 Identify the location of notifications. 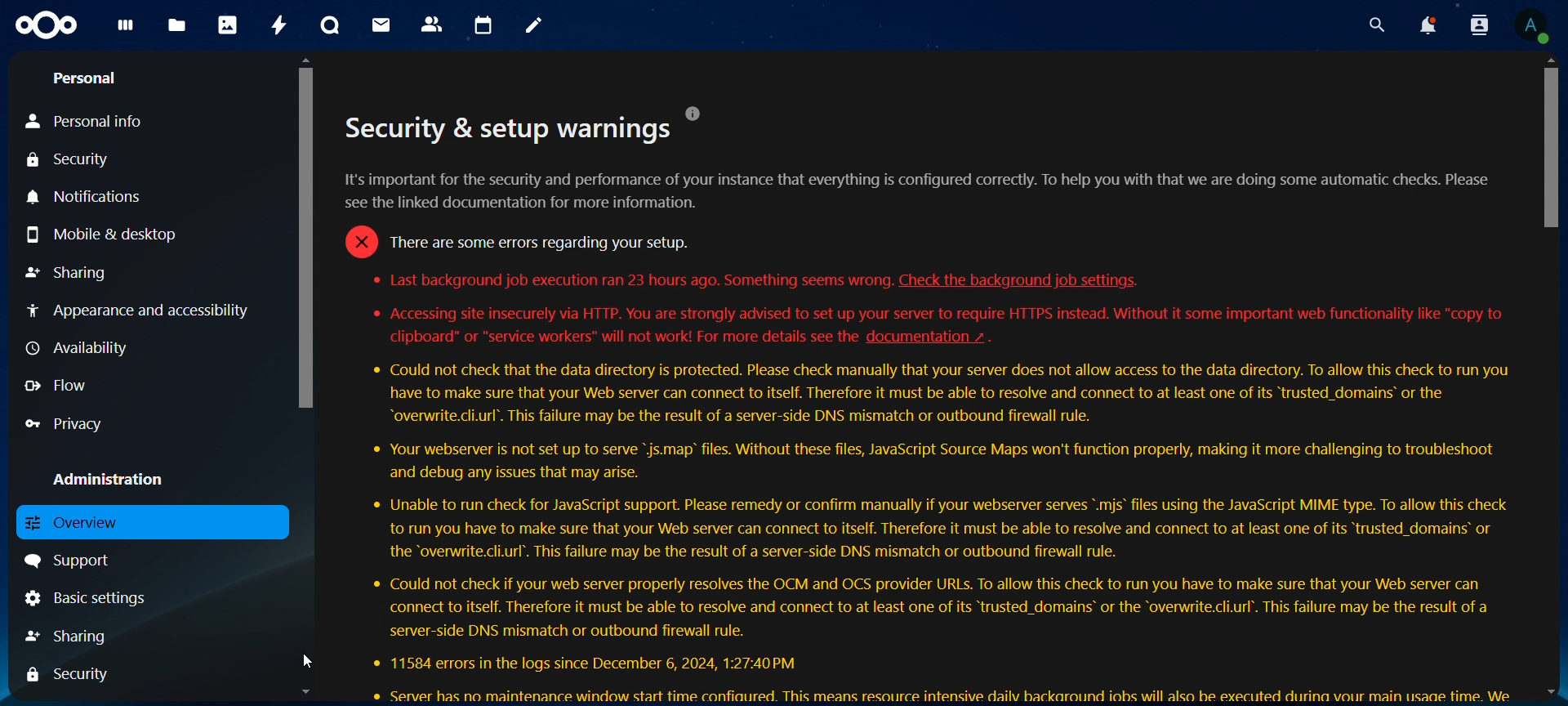
(88, 196).